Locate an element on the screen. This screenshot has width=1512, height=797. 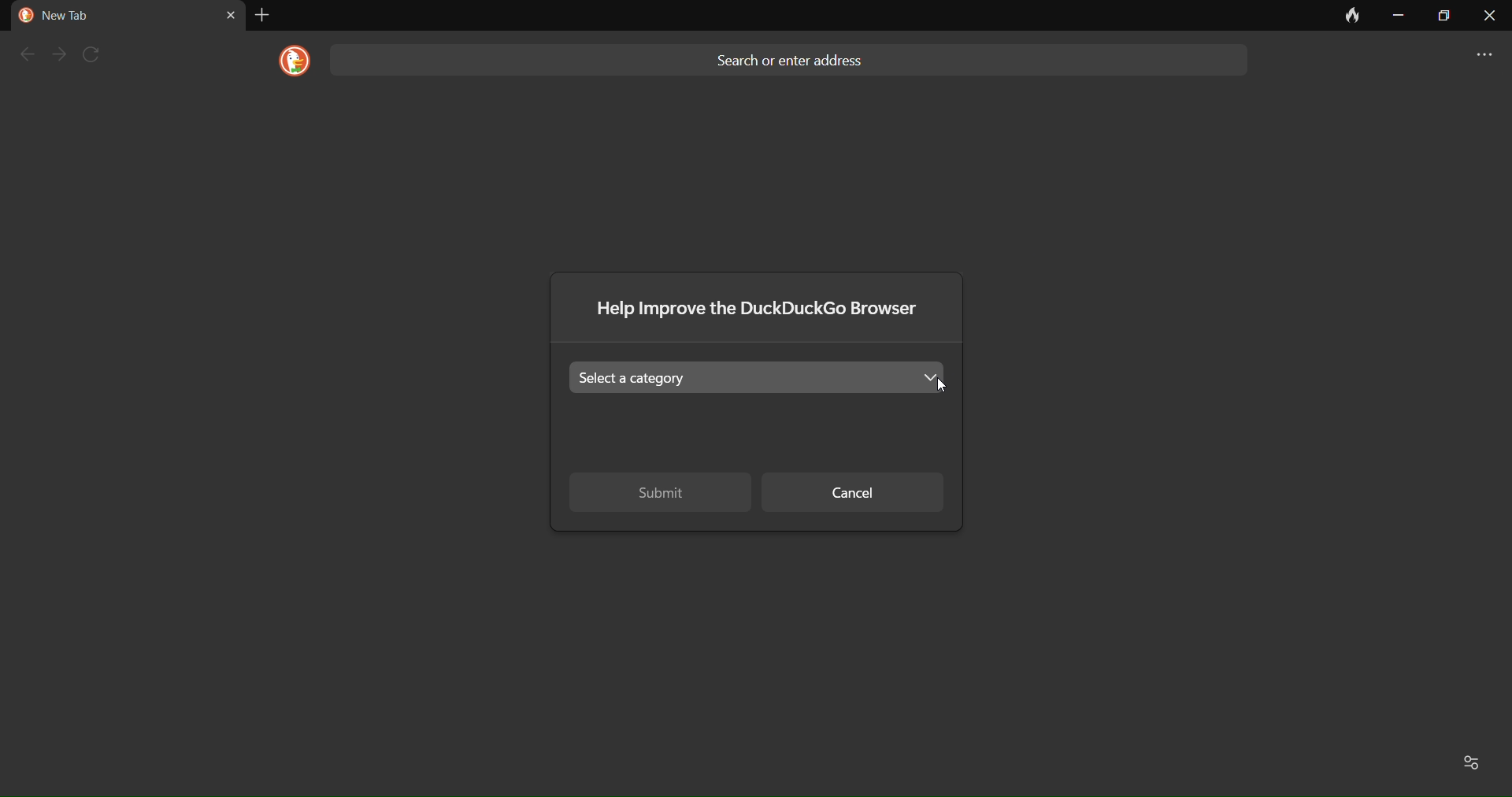
clear data is located at coordinates (1345, 20).